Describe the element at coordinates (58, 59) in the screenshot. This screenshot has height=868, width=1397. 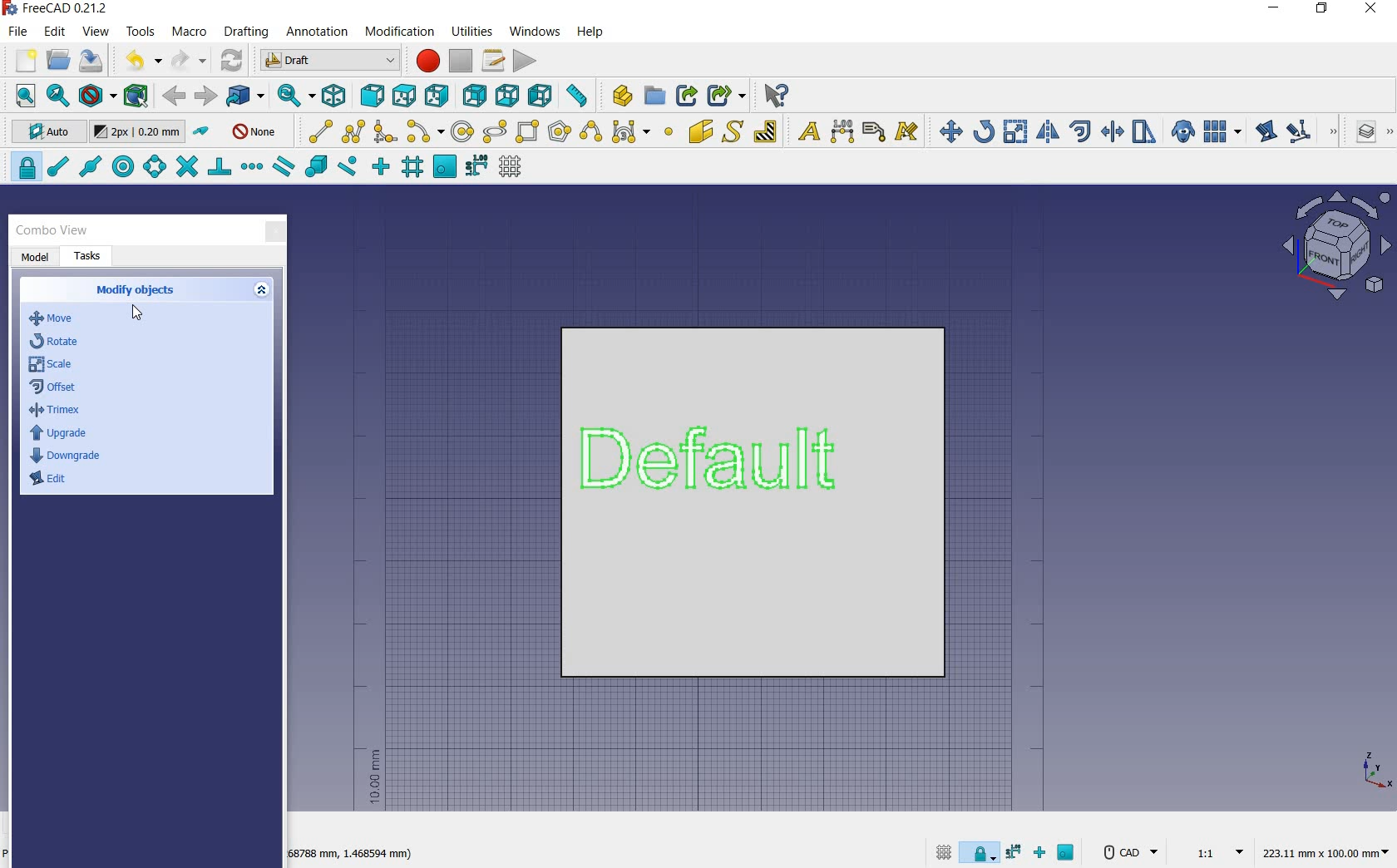
I see `open` at that location.